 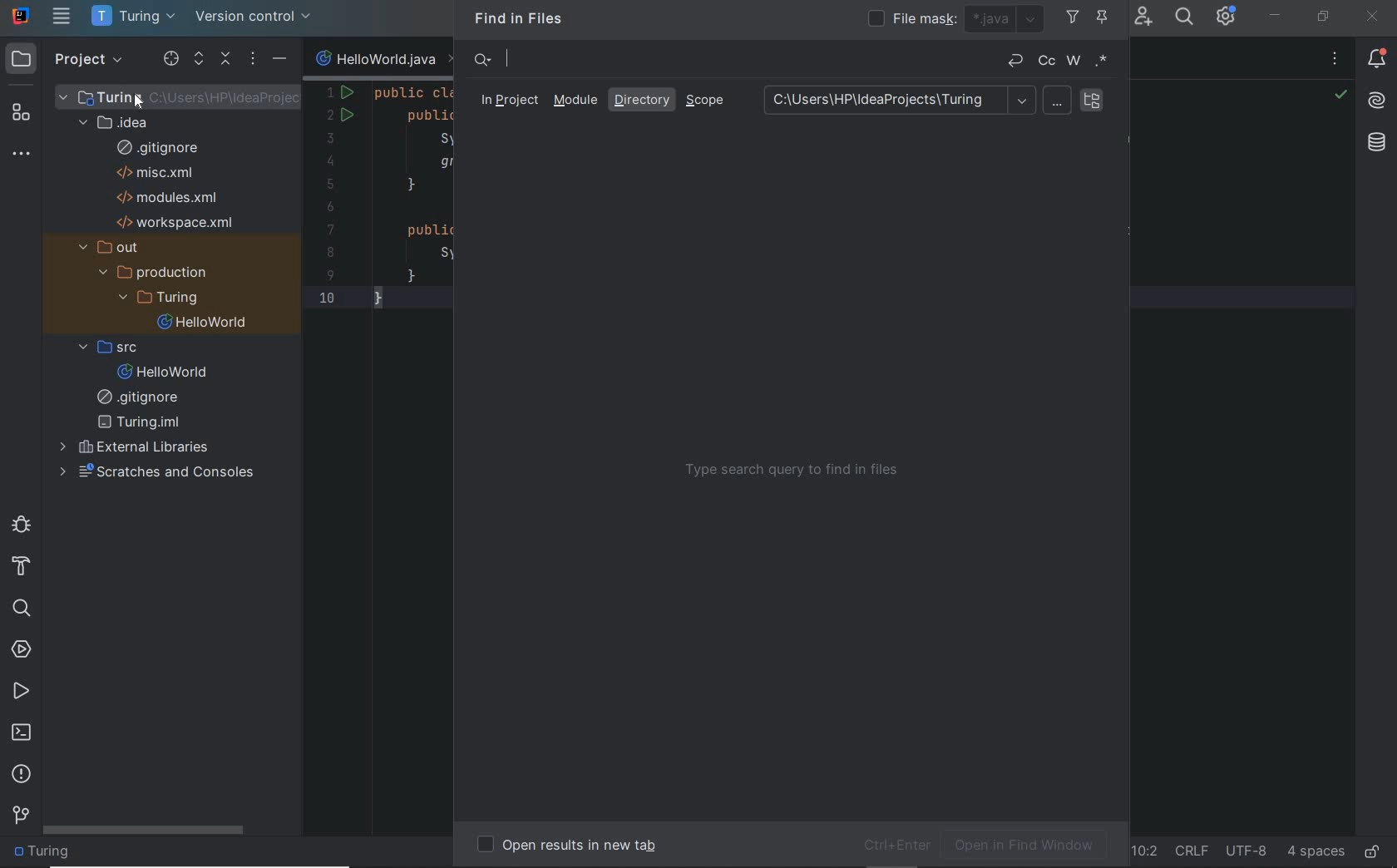 What do you see at coordinates (144, 831) in the screenshot?
I see `scrollbar` at bounding box center [144, 831].